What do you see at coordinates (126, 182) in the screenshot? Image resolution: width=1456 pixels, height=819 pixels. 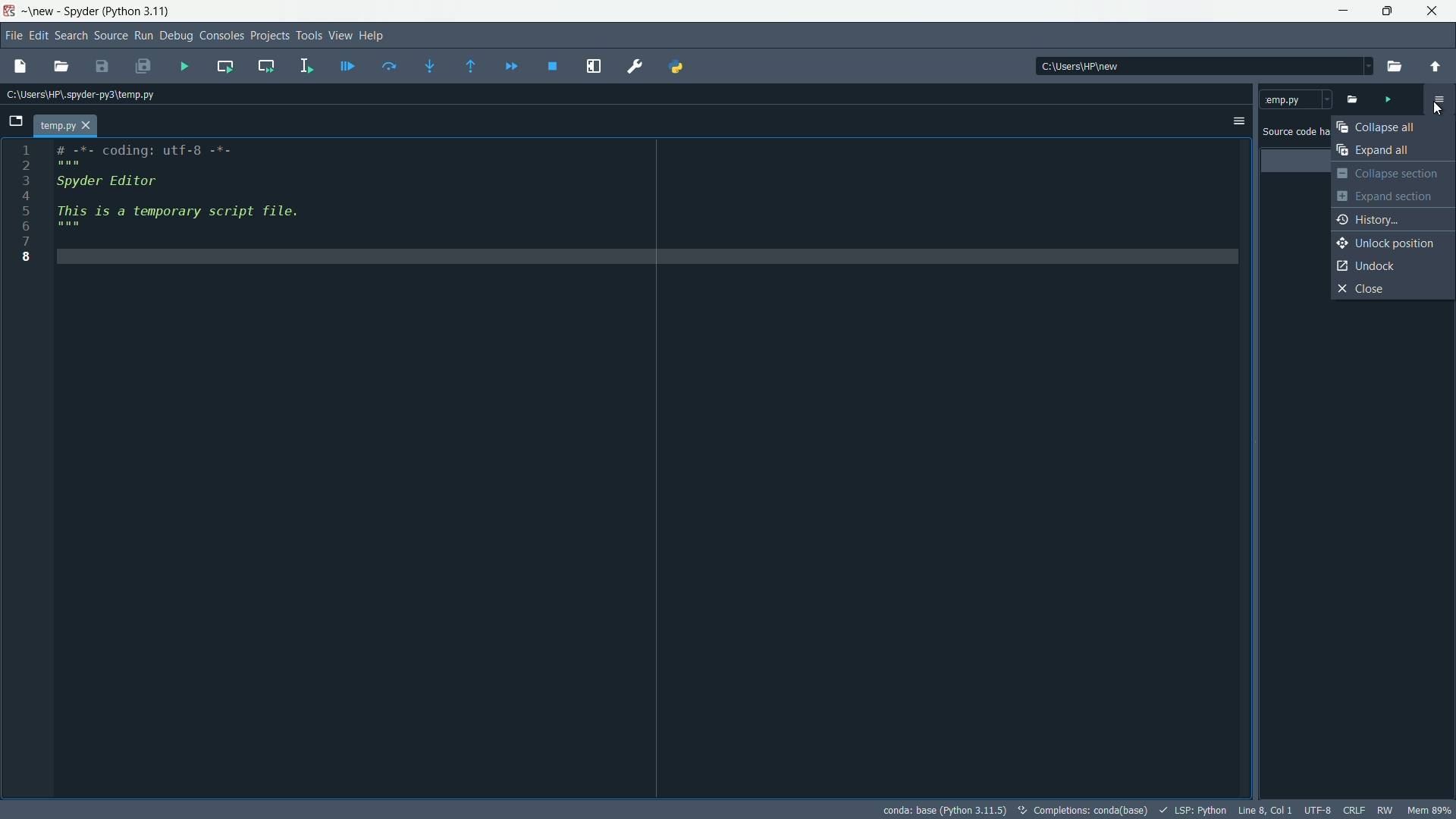 I see `Spyder Editor` at bounding box center [126, 182].